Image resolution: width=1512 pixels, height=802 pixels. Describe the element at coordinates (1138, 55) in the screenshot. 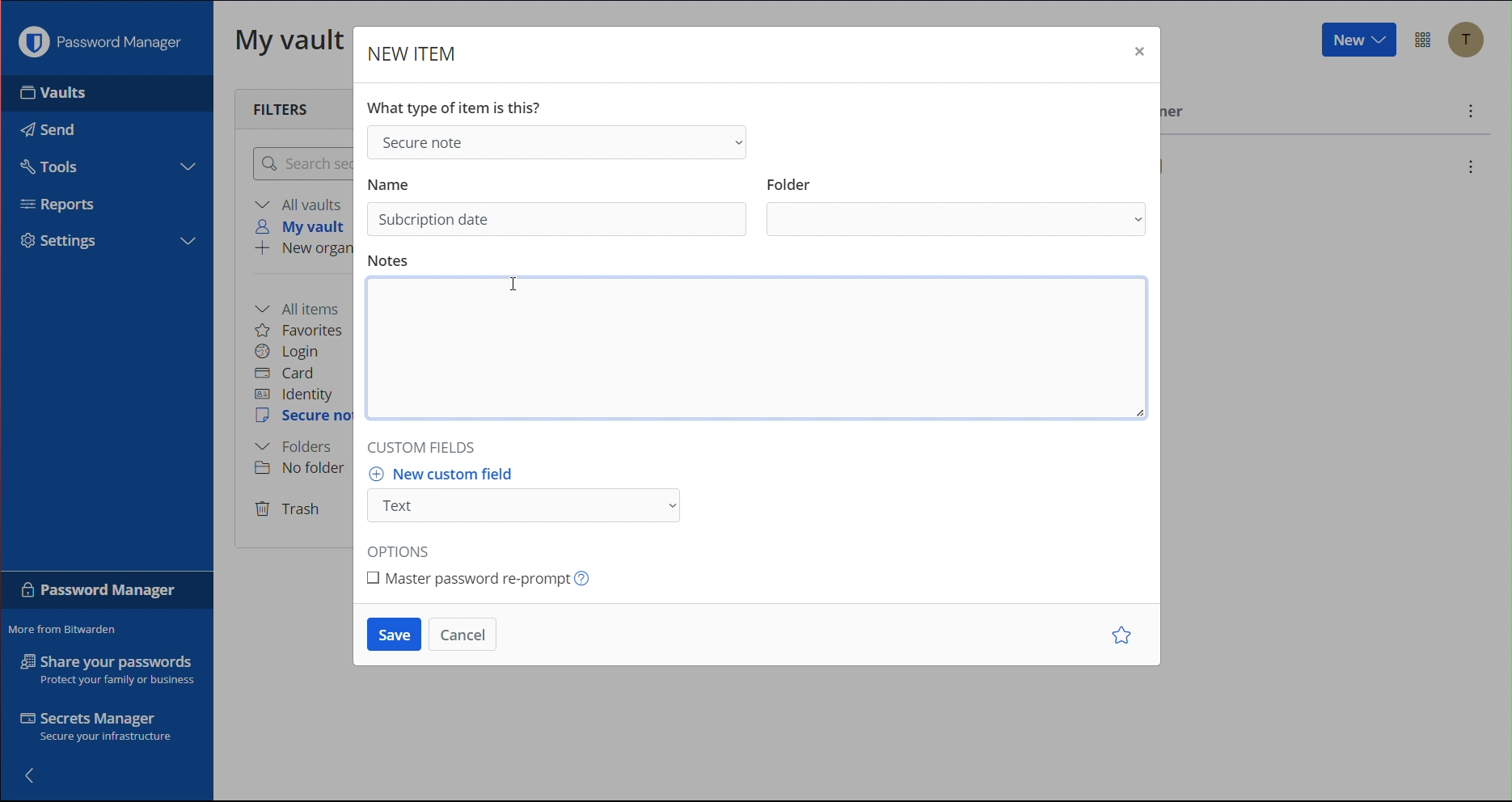

I see `Close` at that location.